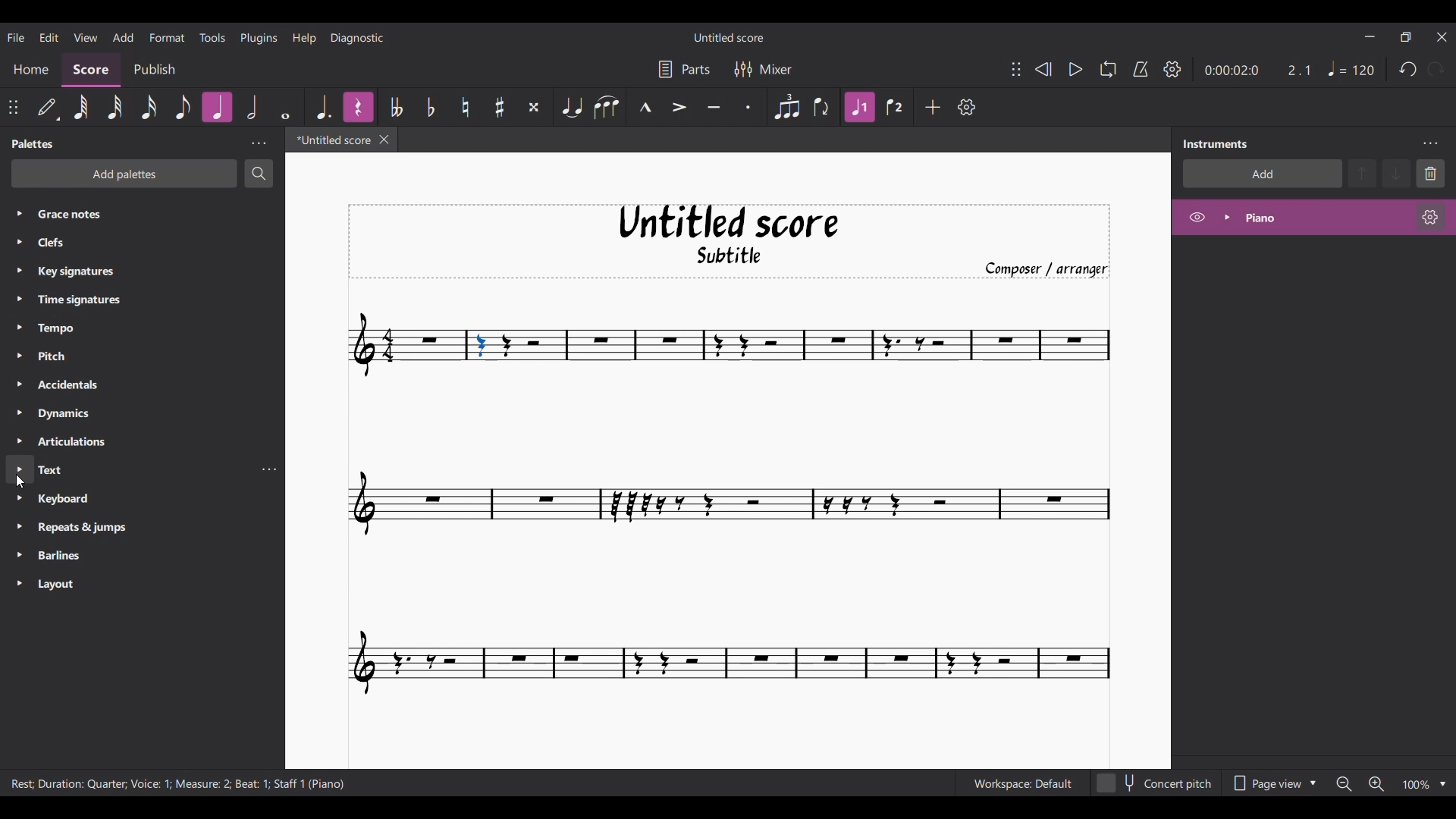 This screenshot has width=1456, height=819. I want to click on Expand piano, so click(1227, 217).